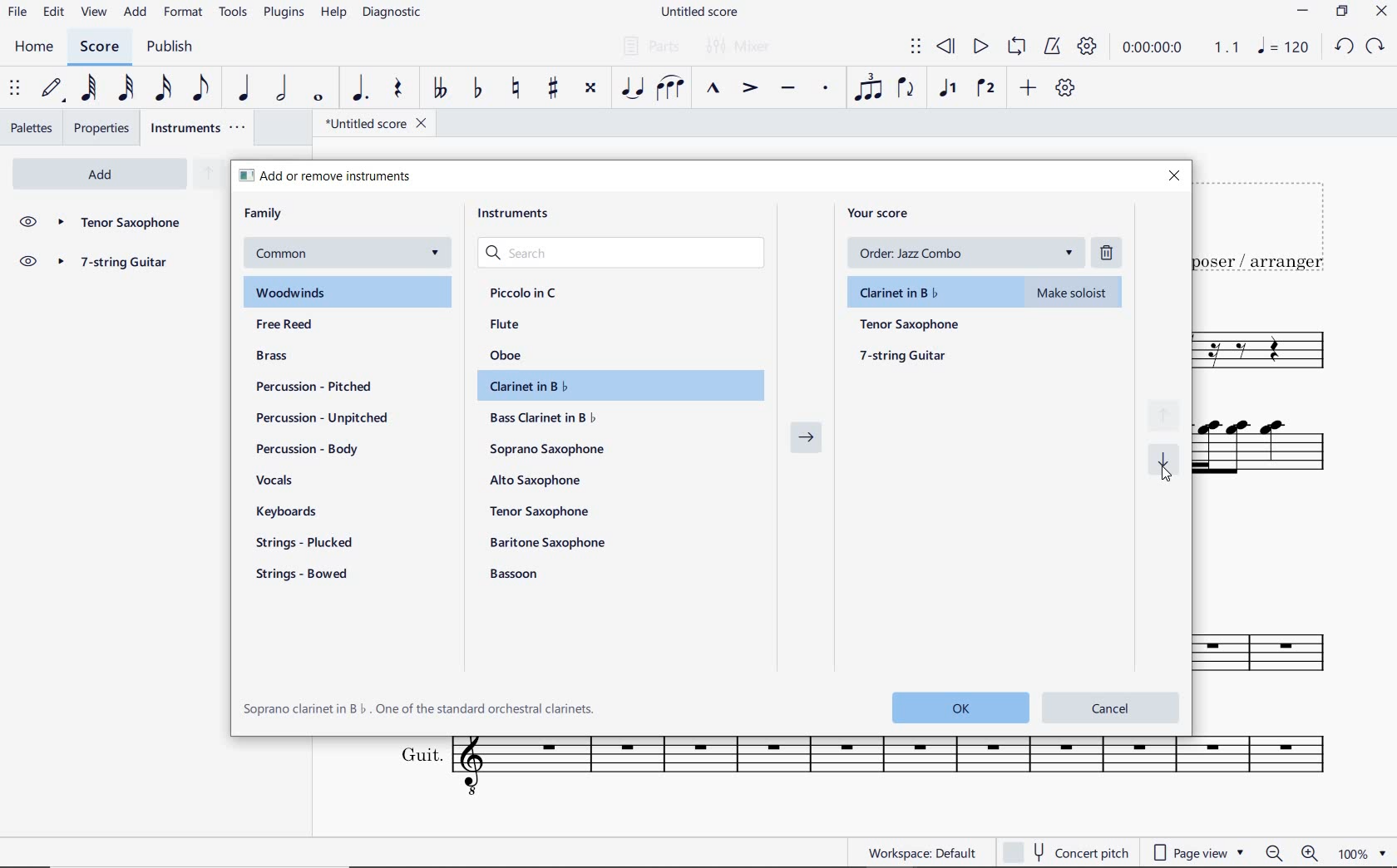  I want to click on woodwinds, so click(349, 293).